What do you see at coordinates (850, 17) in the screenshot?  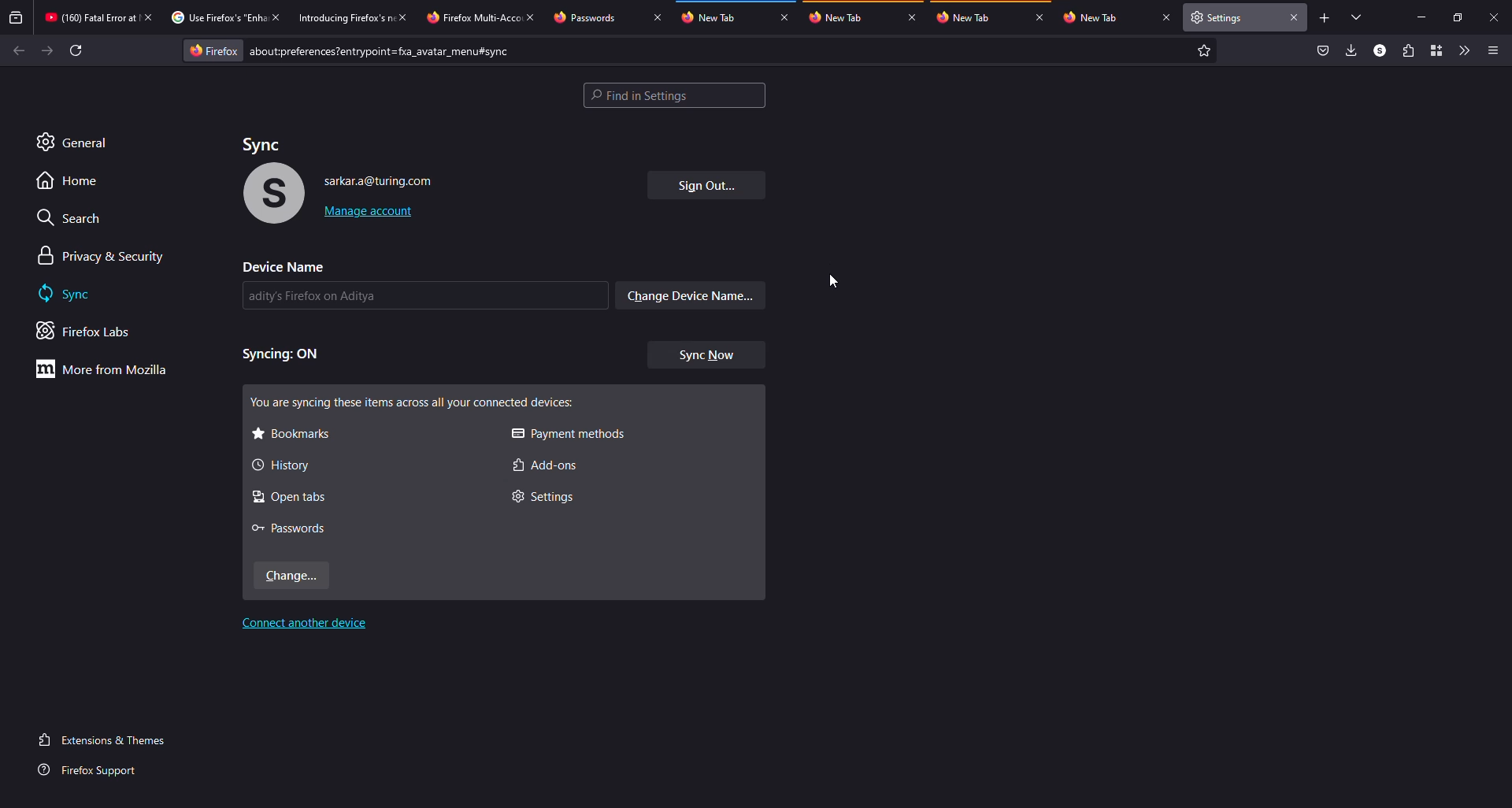 I see `tab` at bounding box center [850, 17].